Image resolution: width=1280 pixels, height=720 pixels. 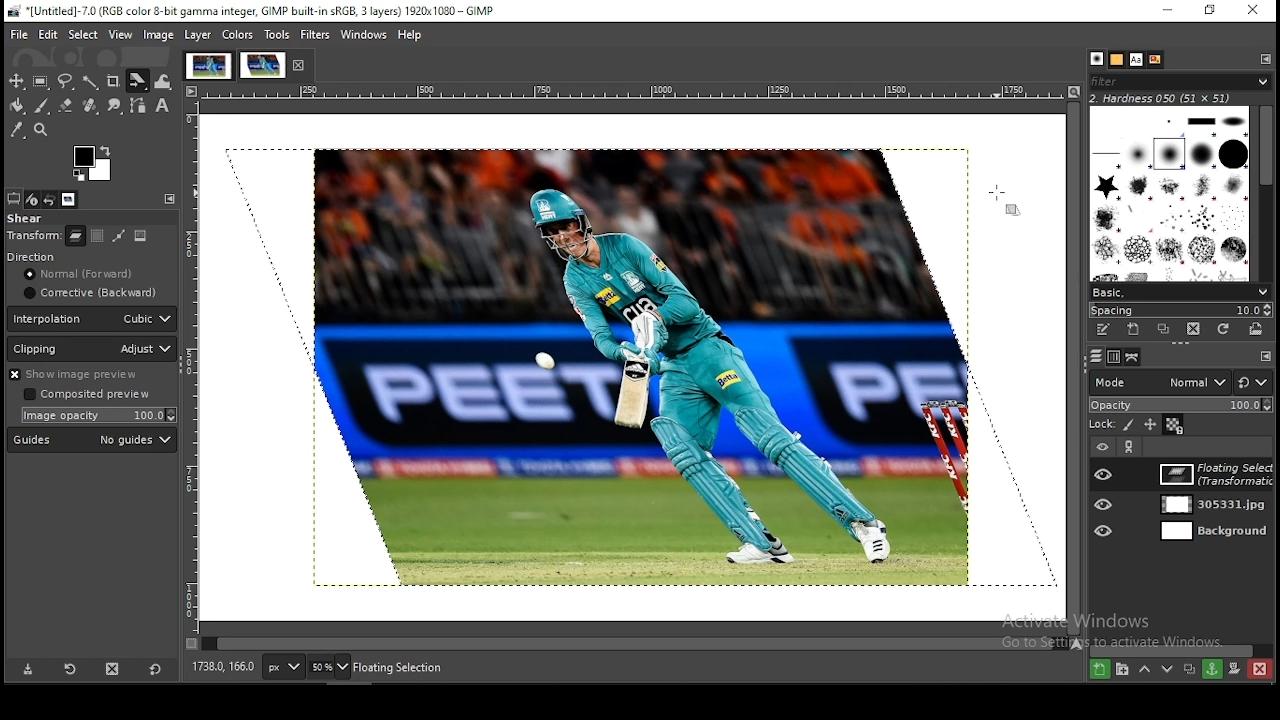 I want to click on layer, so click(x=76, y=236).